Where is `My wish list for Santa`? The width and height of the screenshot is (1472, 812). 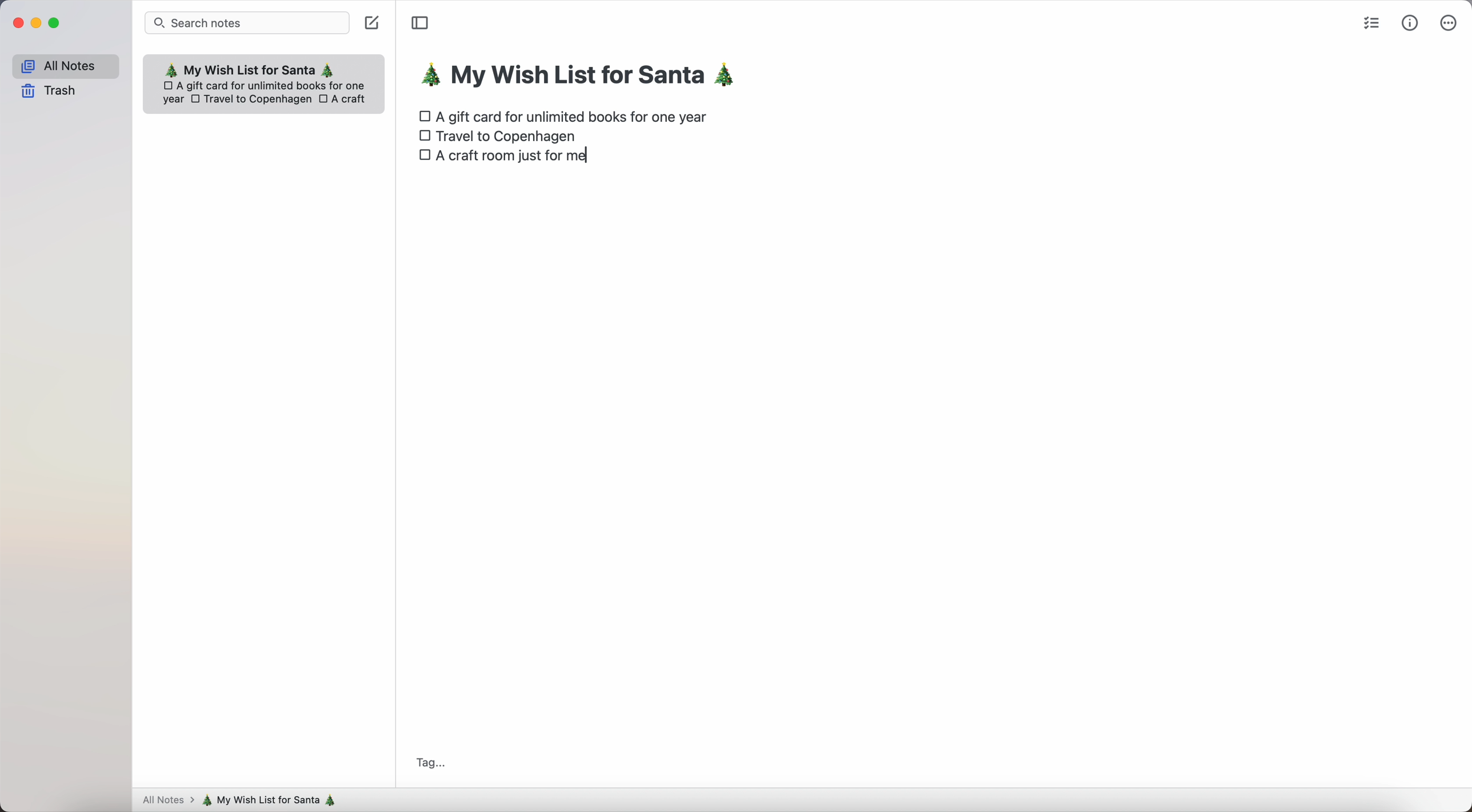 My wish list for Santa is located at coordinates (257, 67).